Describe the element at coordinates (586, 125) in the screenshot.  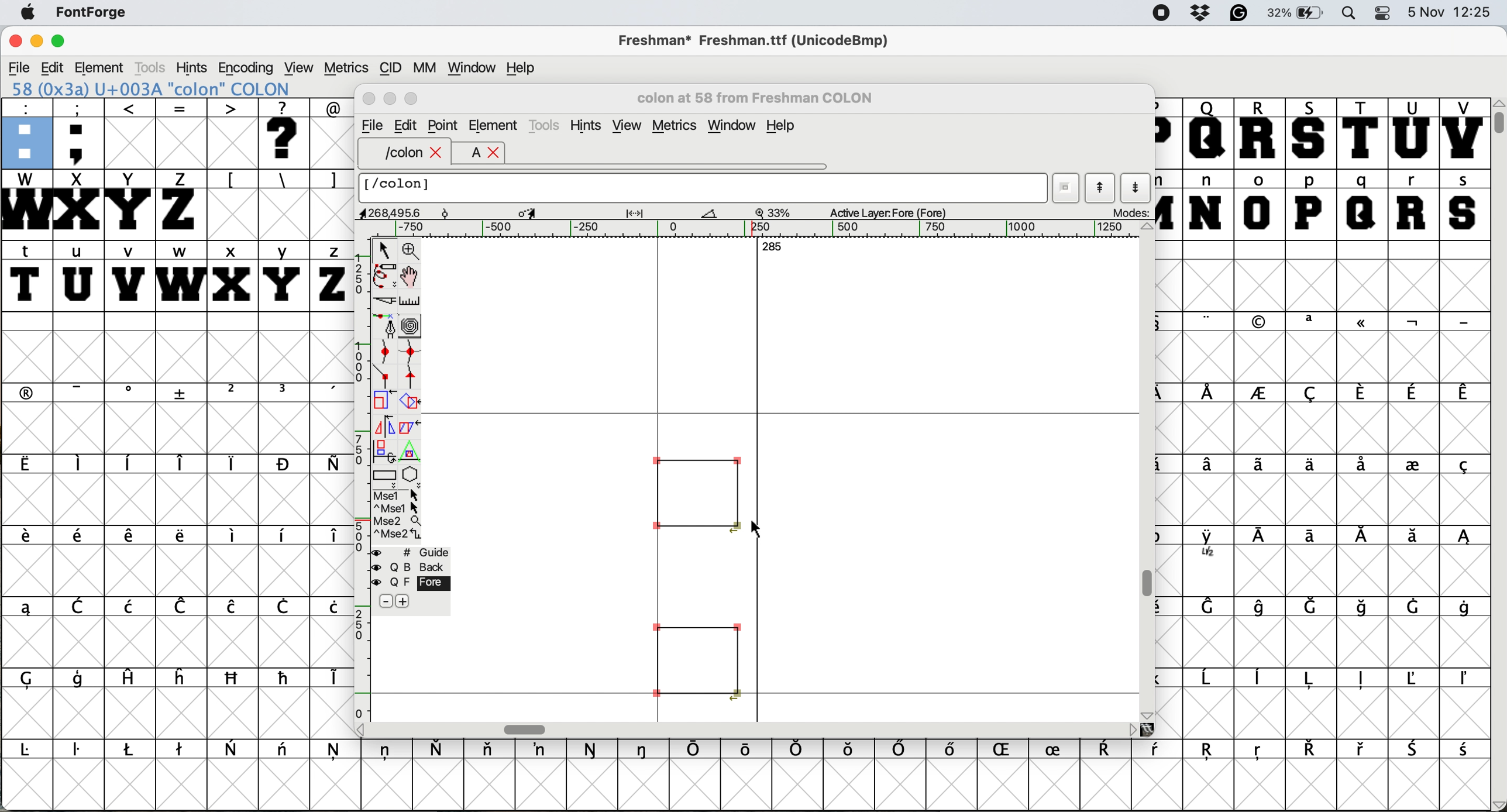
I see `hints` at that location.